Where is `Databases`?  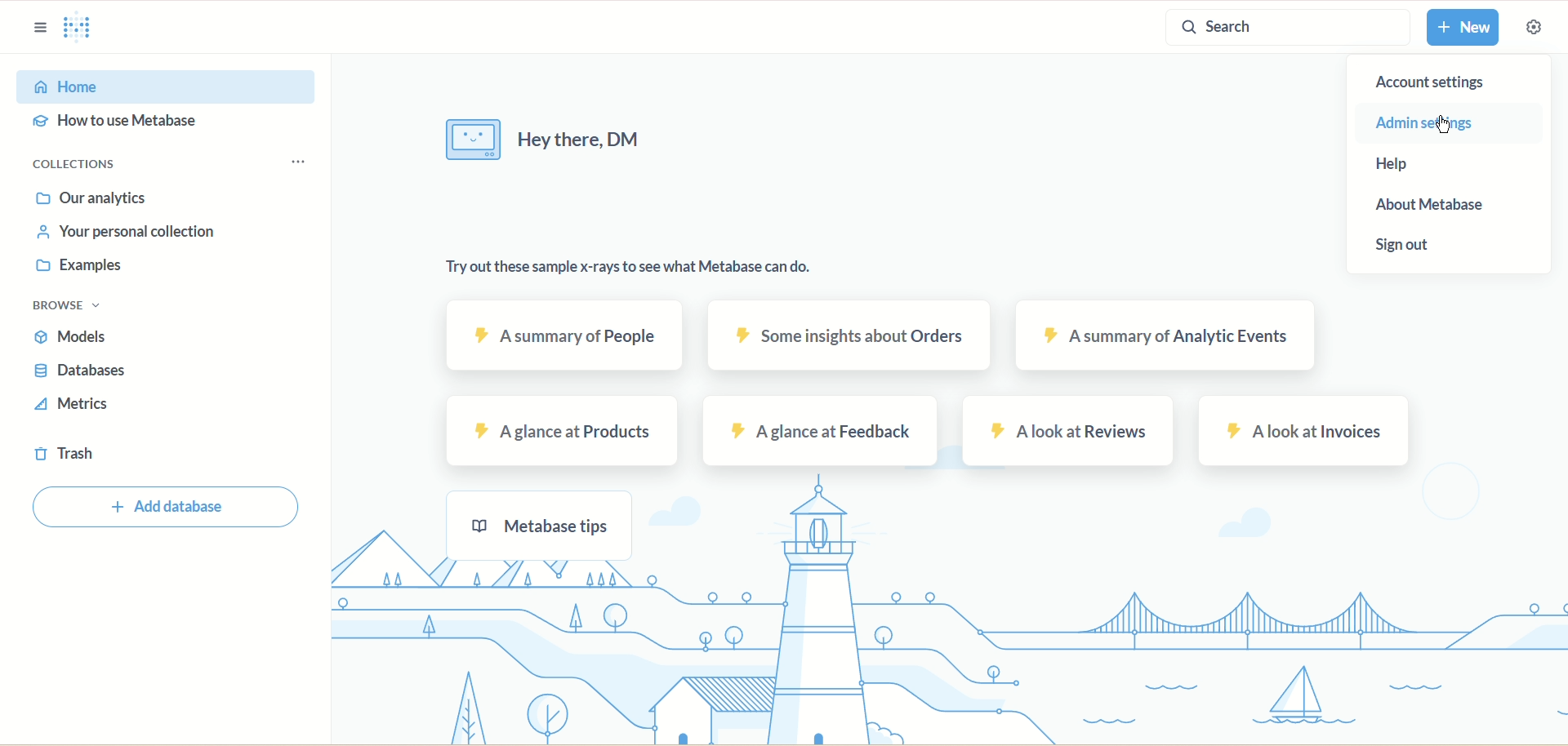
Databases is located at coordinates (68, 371).